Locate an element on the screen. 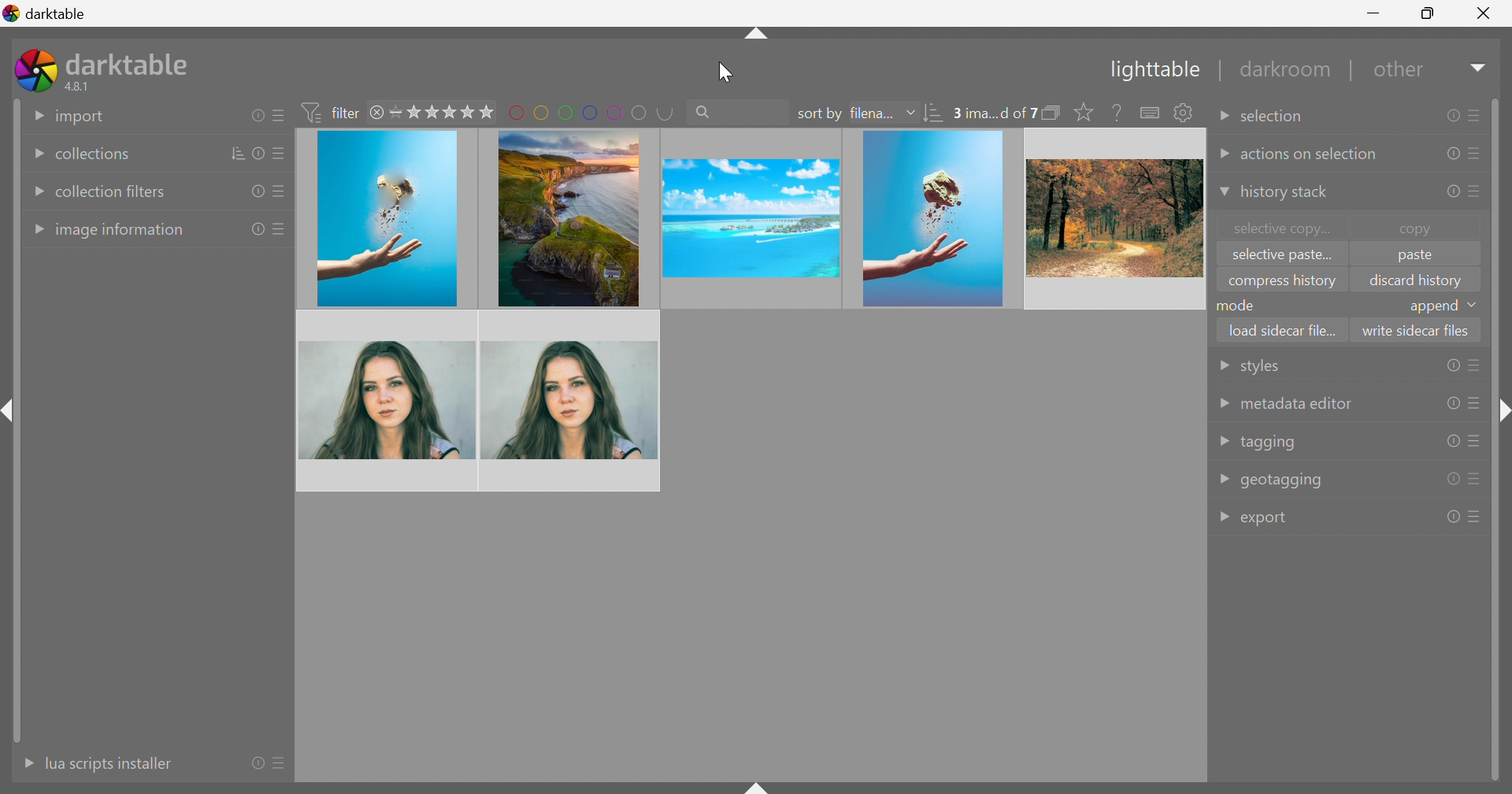  other is located at coordinates (1402, 74).